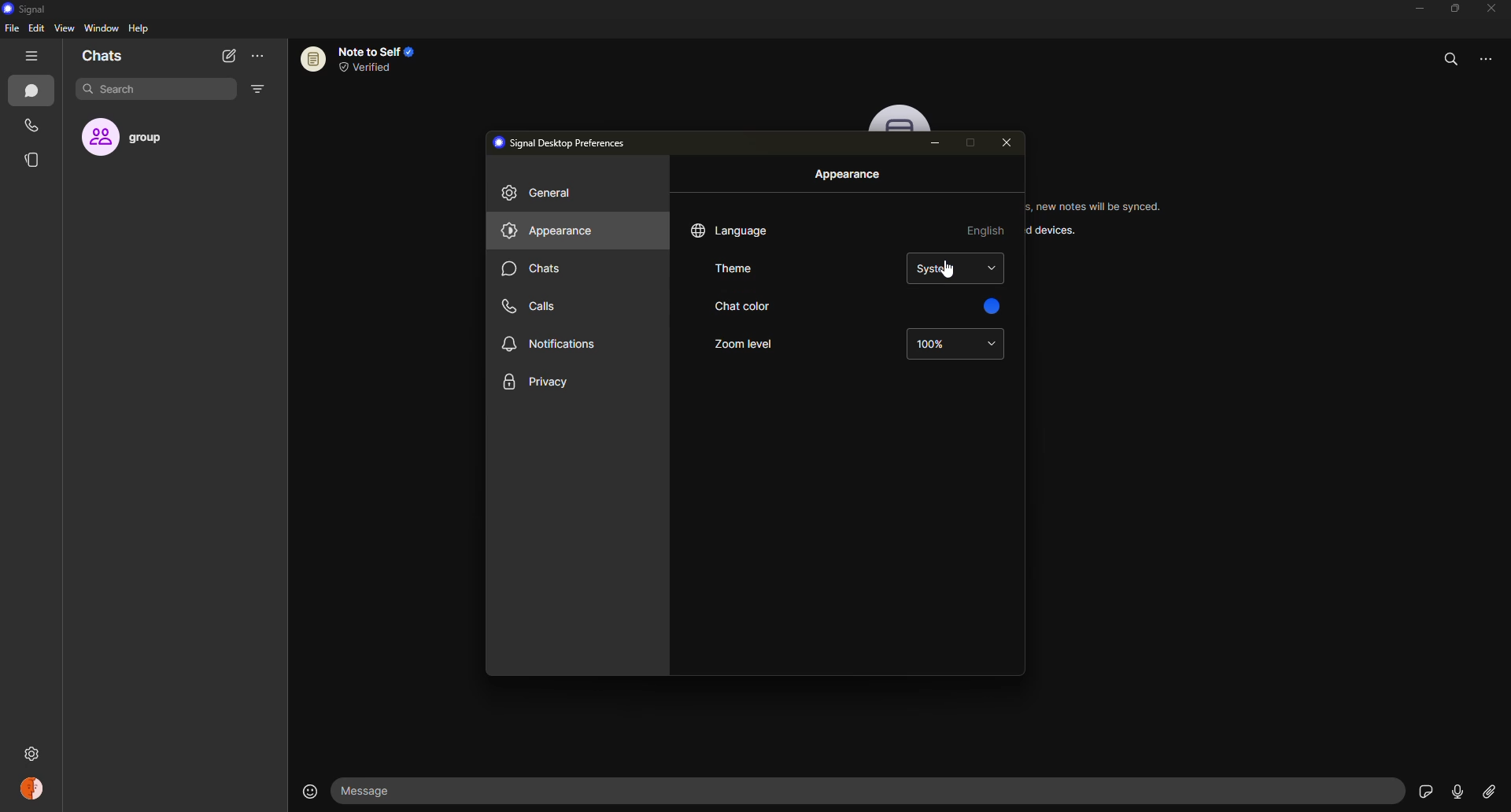 The image size is (1511, 812). Describe the element at coordinates (1451, 56) in the screenshot. I see `search` at that location.